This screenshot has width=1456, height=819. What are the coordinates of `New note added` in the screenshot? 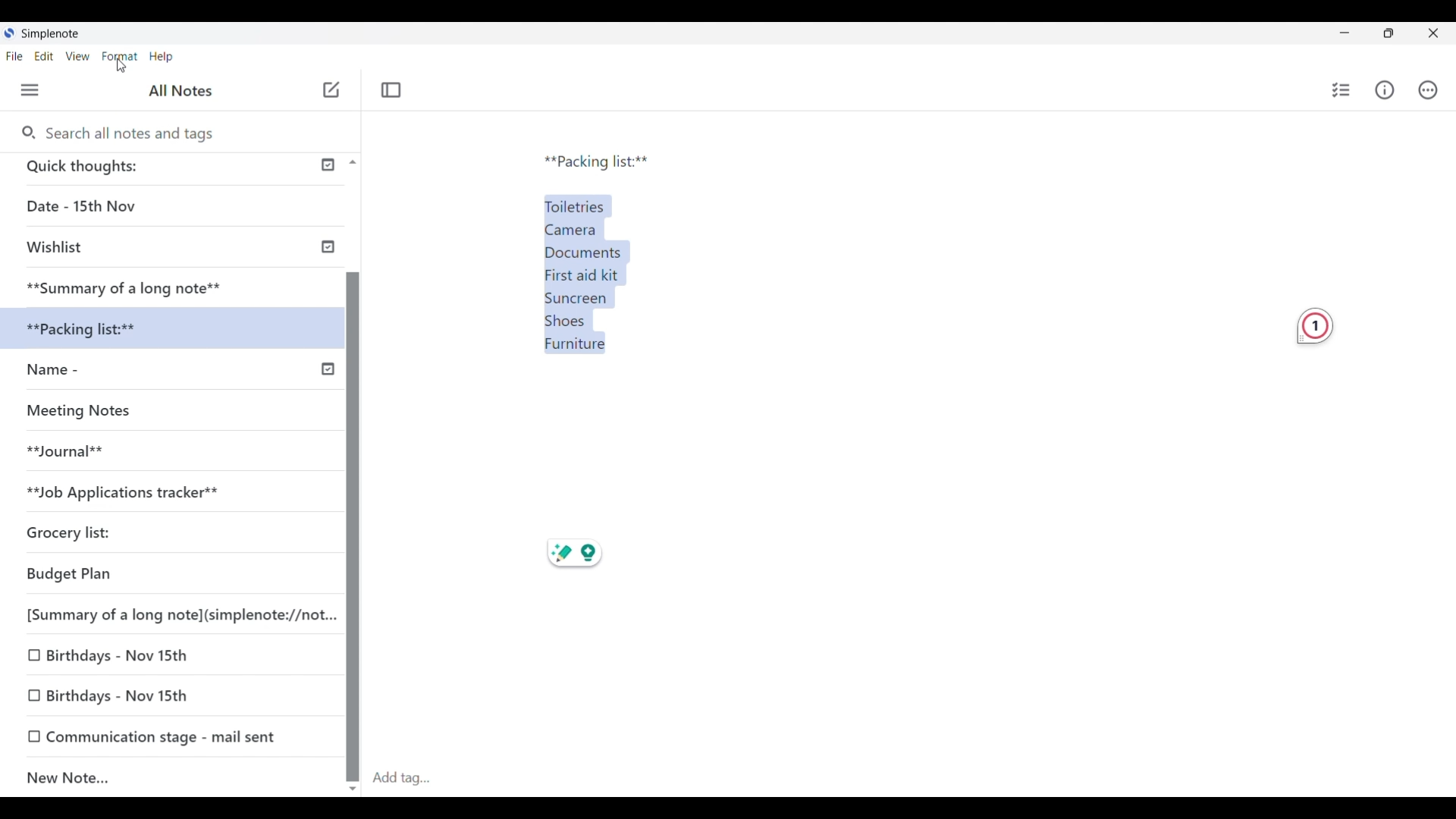 It's located at (158, 778).